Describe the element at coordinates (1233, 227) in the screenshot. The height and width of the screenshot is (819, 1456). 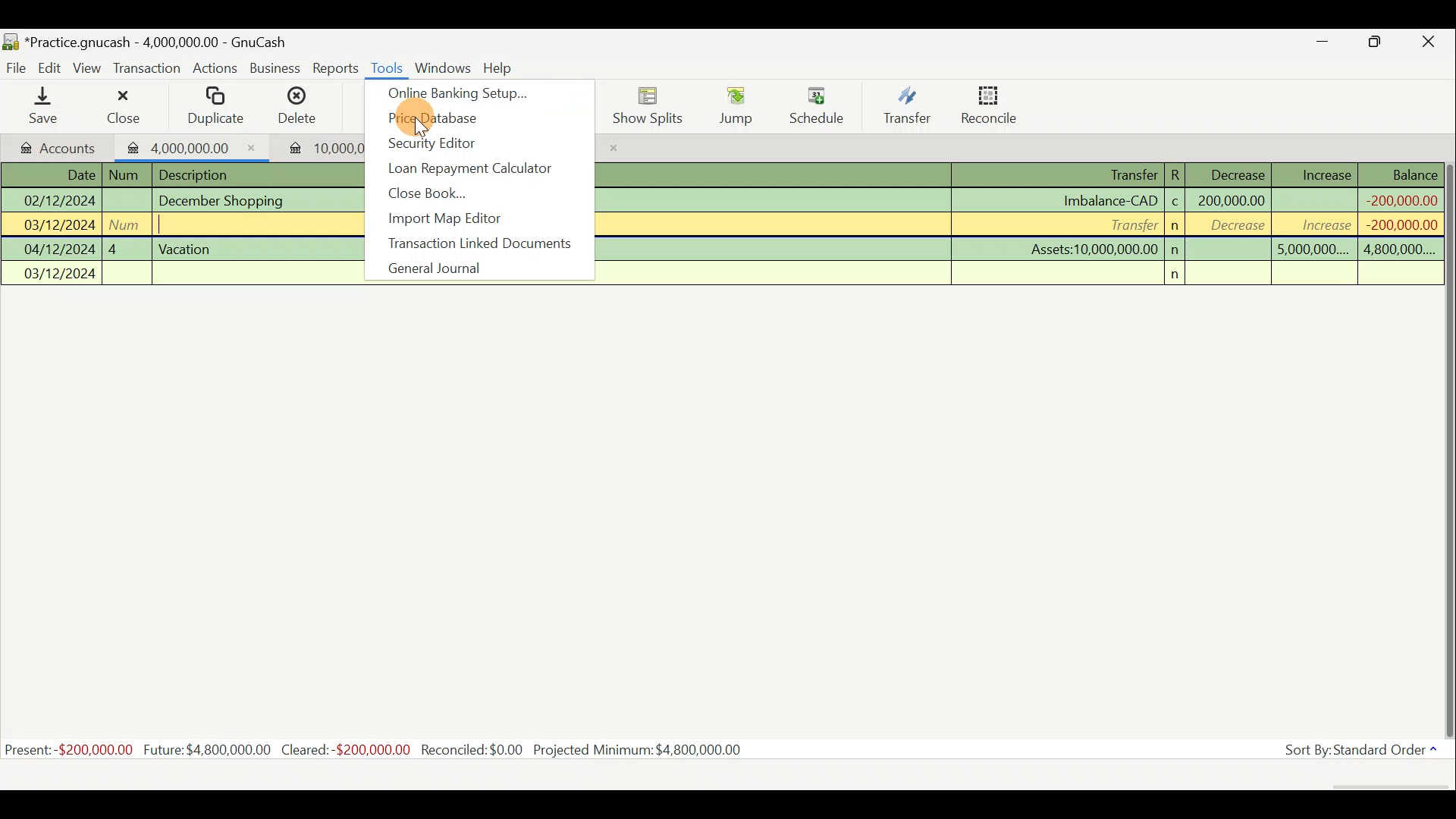
I see `decrease` at that location.